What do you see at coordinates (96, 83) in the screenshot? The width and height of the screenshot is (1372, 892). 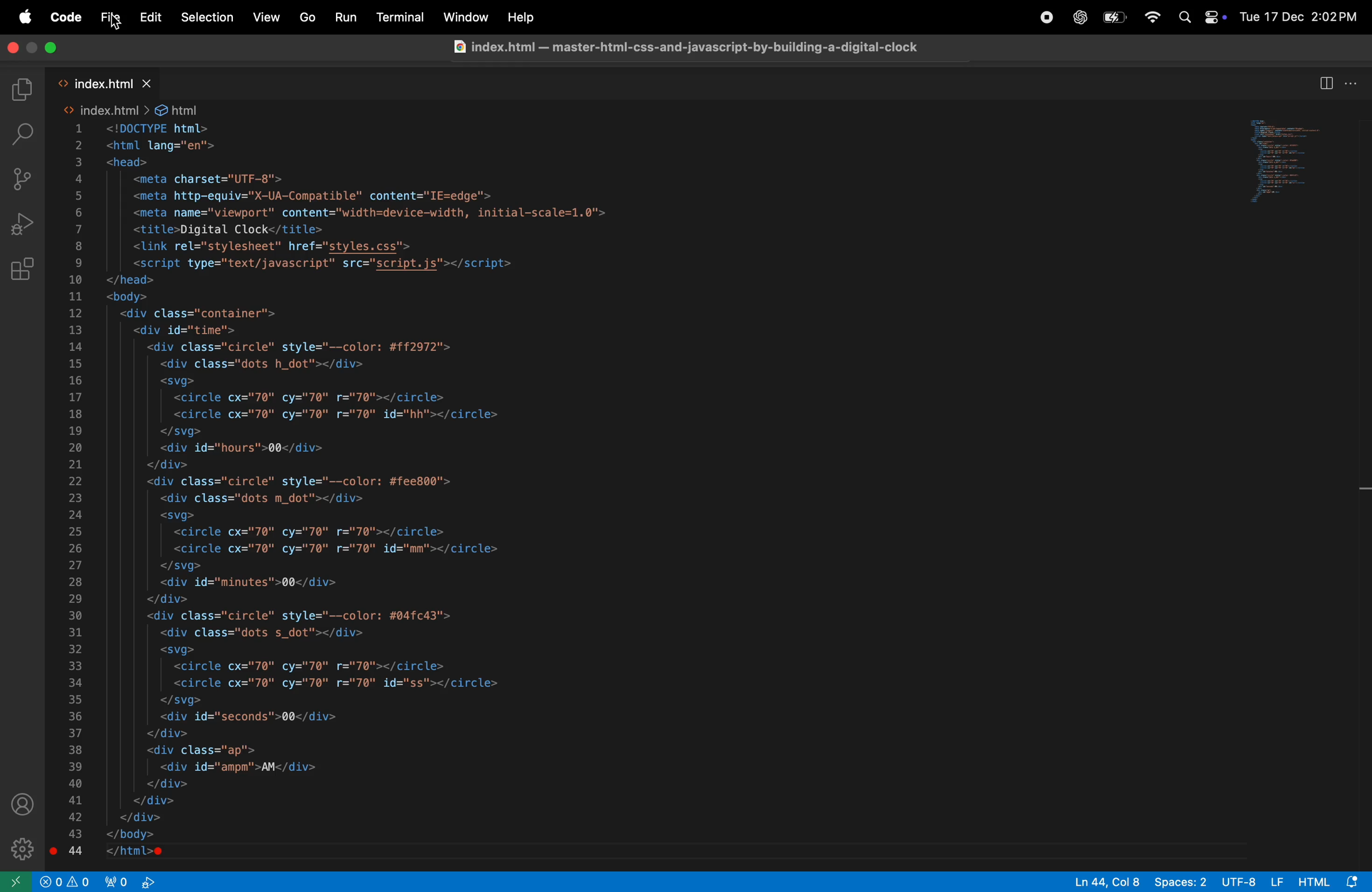 I see `index.html` at bounding box center [96, 83].